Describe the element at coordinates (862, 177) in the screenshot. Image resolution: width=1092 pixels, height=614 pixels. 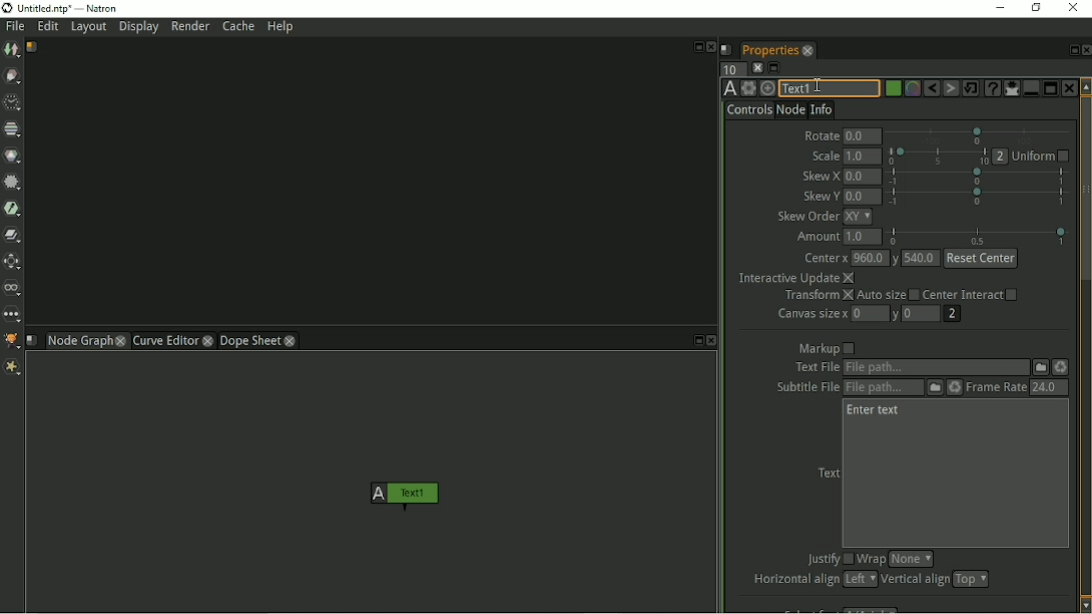
I see `0.0` at that location.